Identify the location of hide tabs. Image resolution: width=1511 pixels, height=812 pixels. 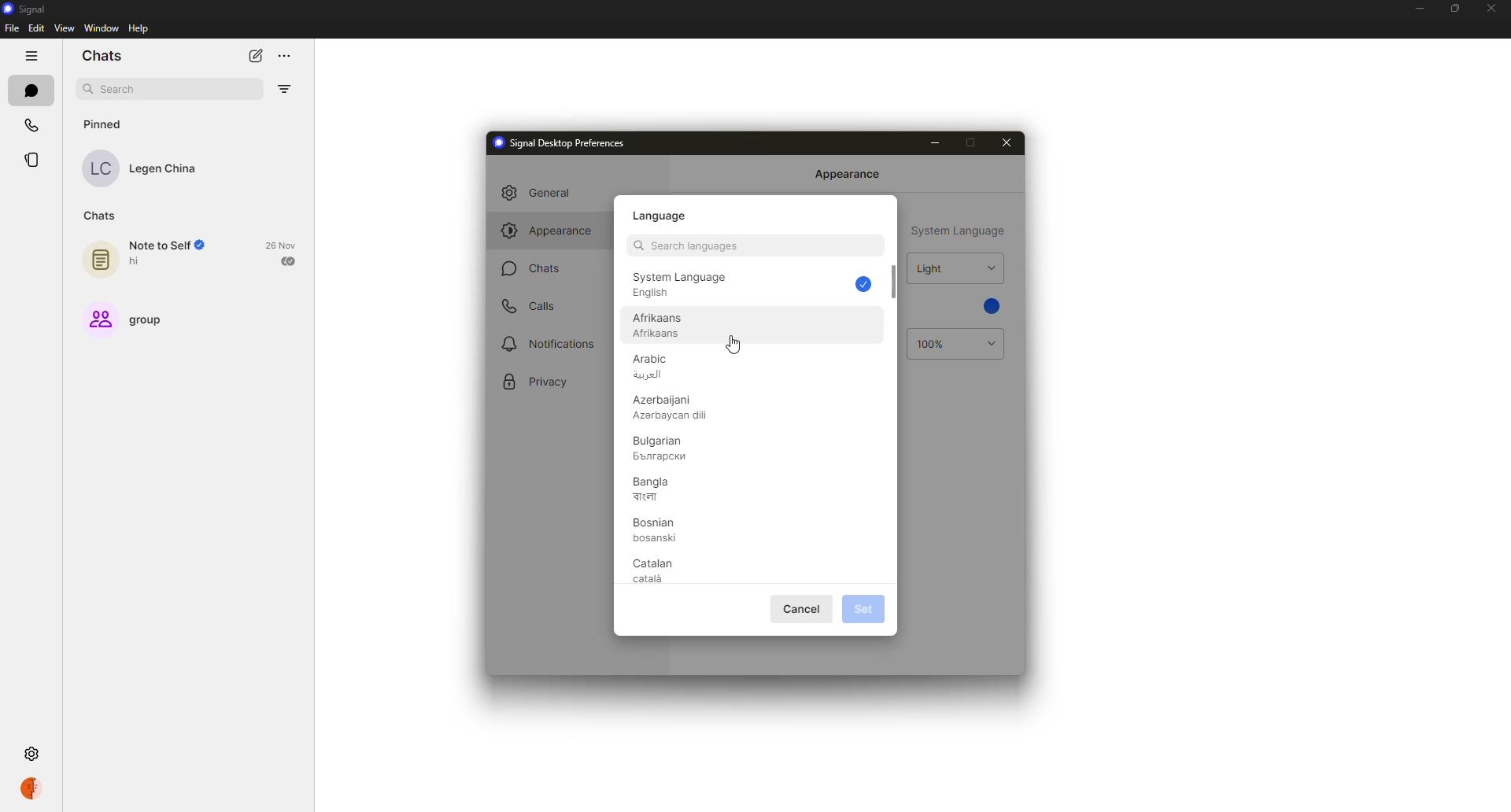
(31, 55).